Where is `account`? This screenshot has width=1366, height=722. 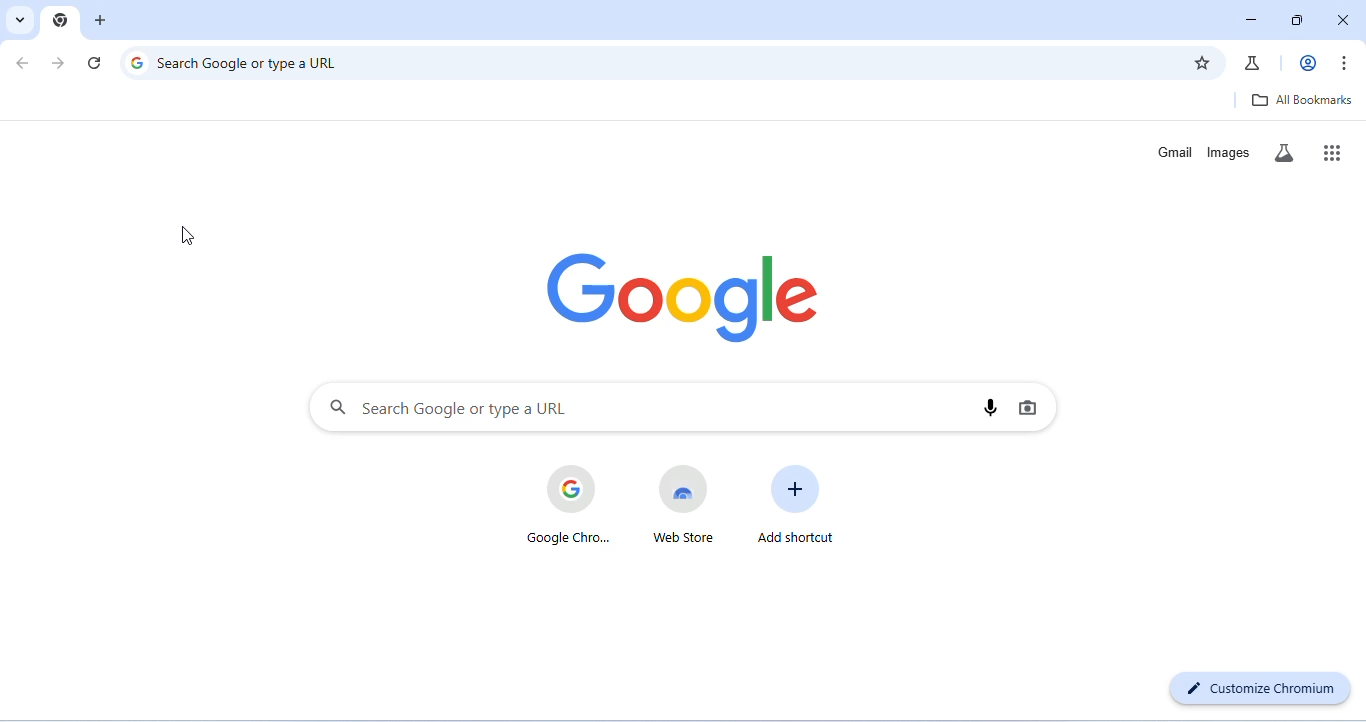 account is located at coordinates (1305, 63).